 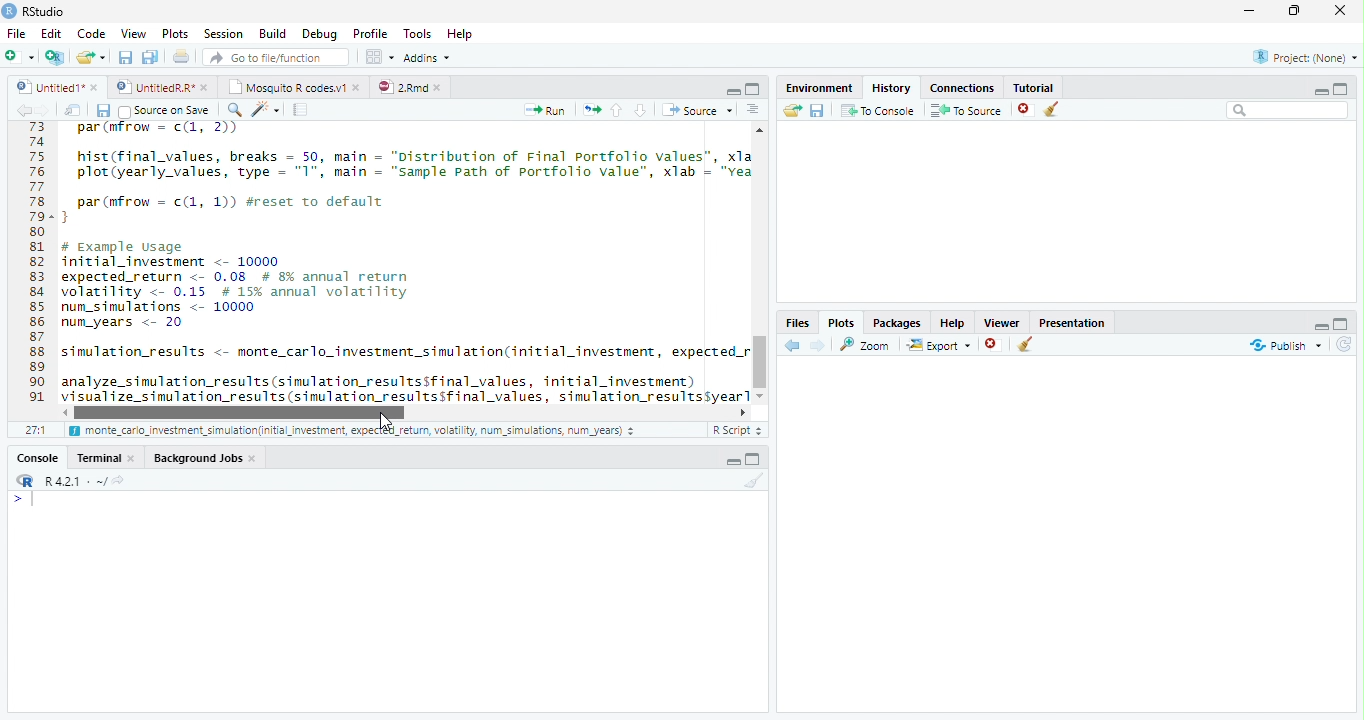 What do you see at coordinates (760, 358) in the screenshot?
I see `Scroll Bar` at bounding box center [760, 358].